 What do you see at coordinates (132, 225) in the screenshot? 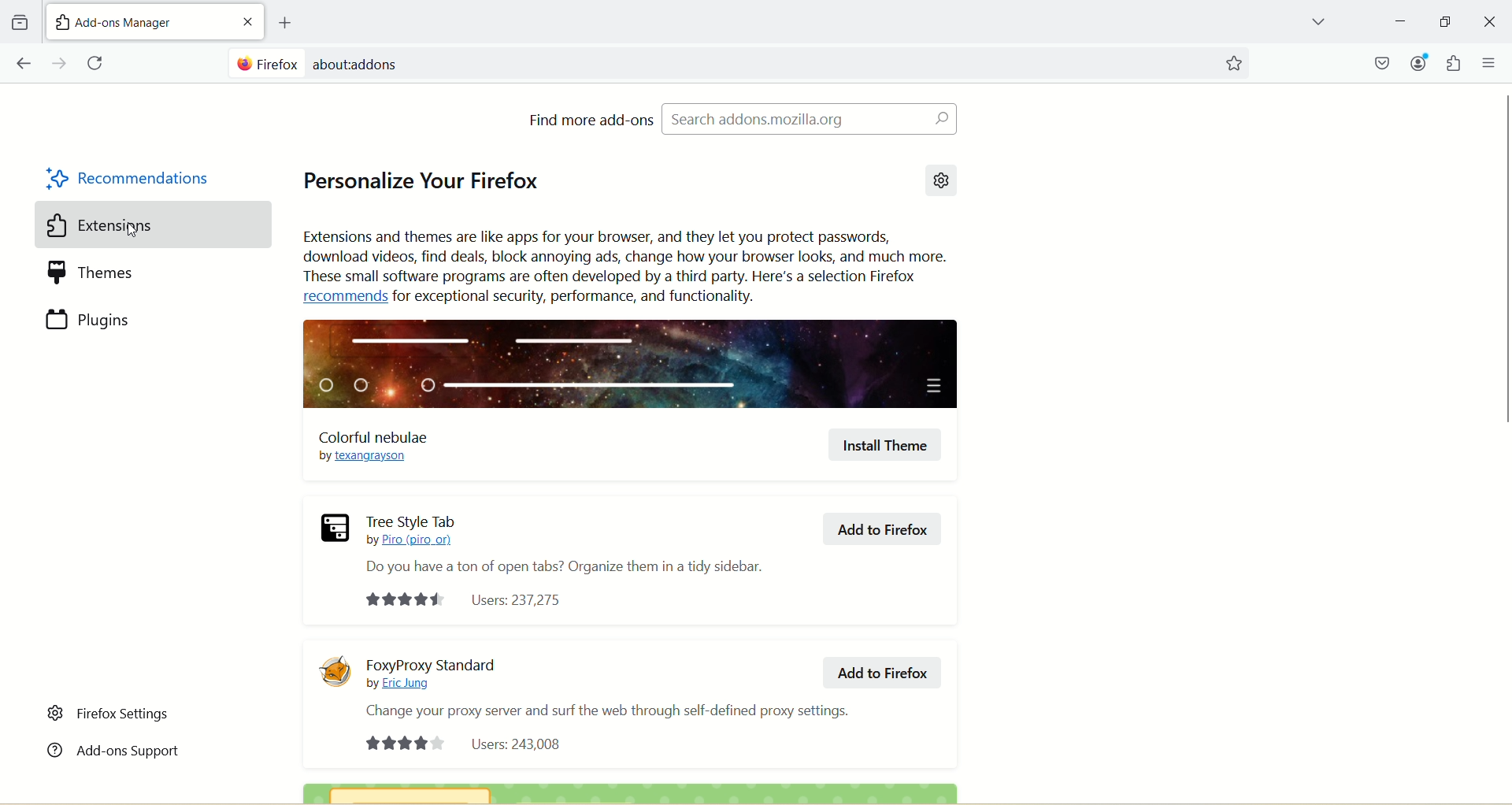
I see `Extensions` at bounding box center [132, 225].